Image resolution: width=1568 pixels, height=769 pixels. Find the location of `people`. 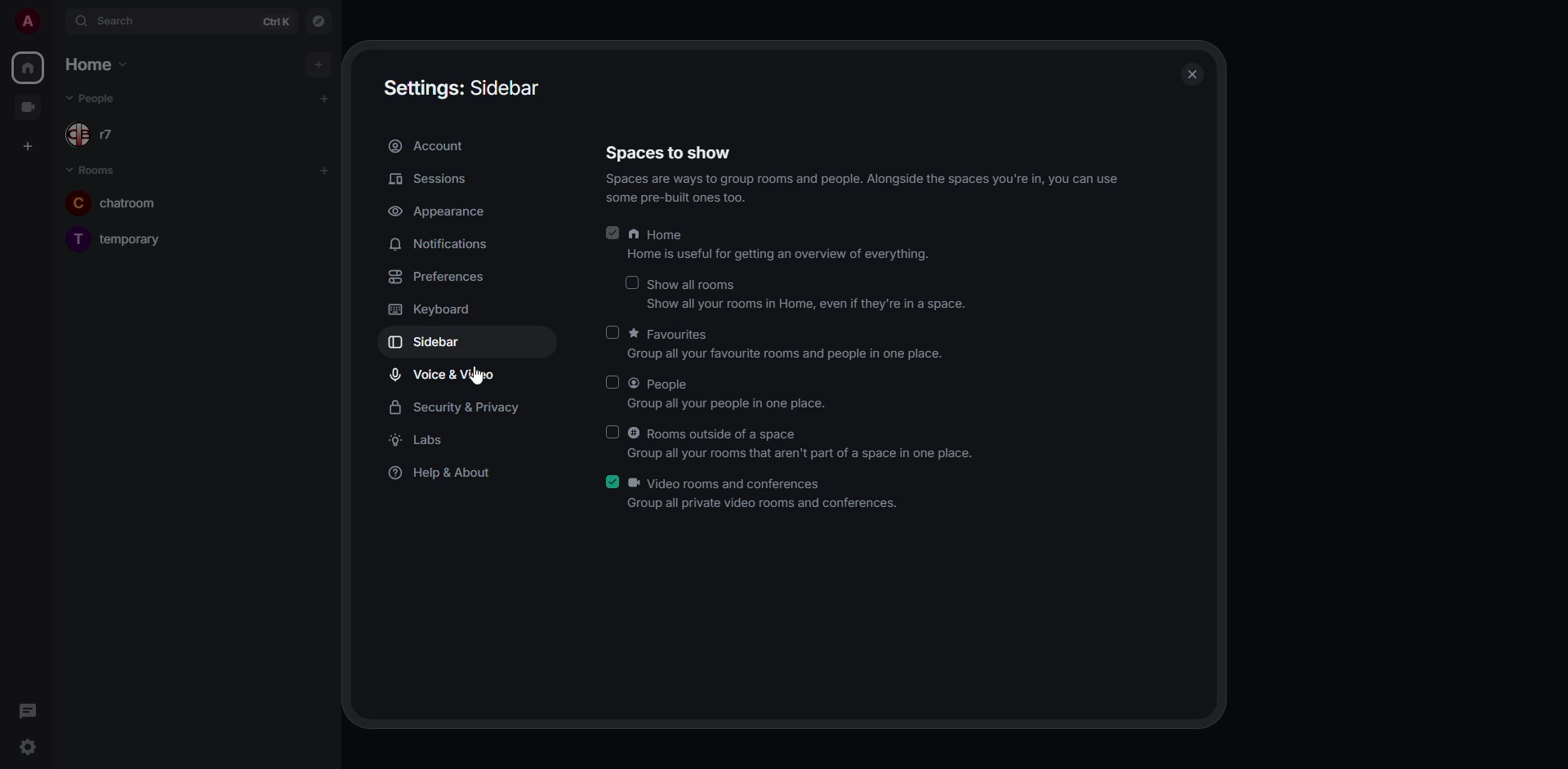

people is located at coordinates (105, 98).